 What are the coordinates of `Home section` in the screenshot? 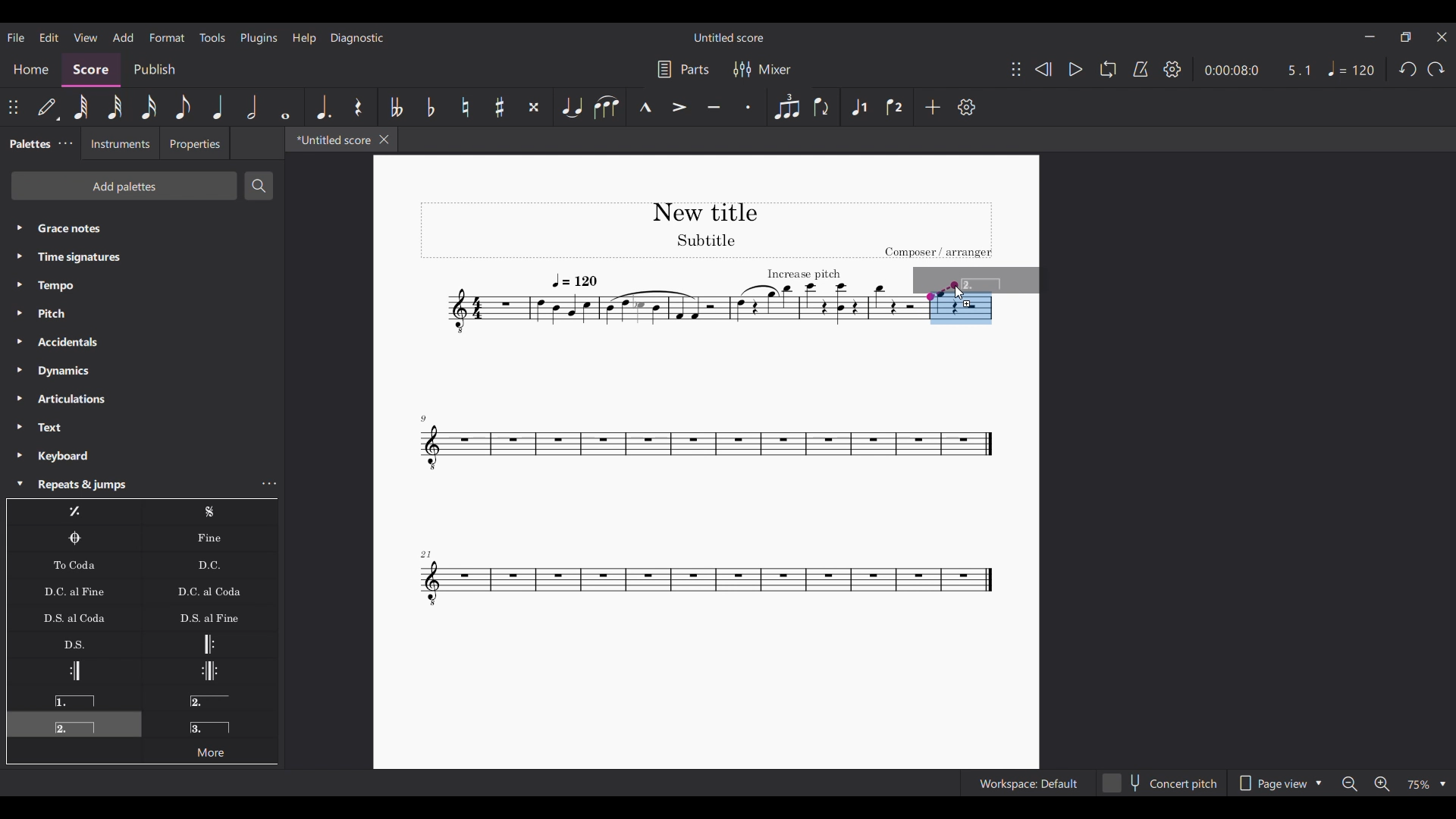 It's located at (30, 69).